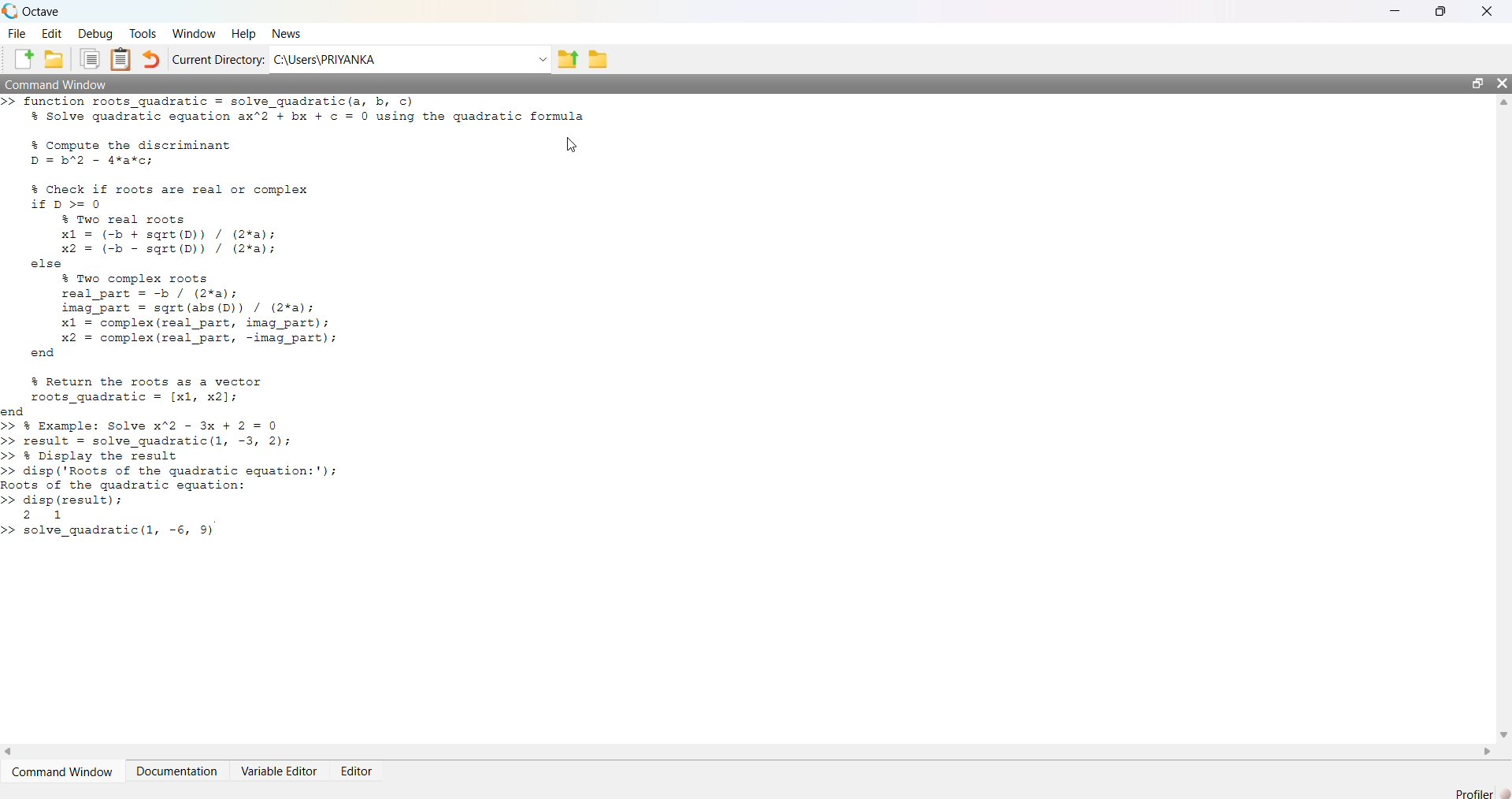 The image size is (1512, 799). I want to click on Profiler, so click(1482, 793).